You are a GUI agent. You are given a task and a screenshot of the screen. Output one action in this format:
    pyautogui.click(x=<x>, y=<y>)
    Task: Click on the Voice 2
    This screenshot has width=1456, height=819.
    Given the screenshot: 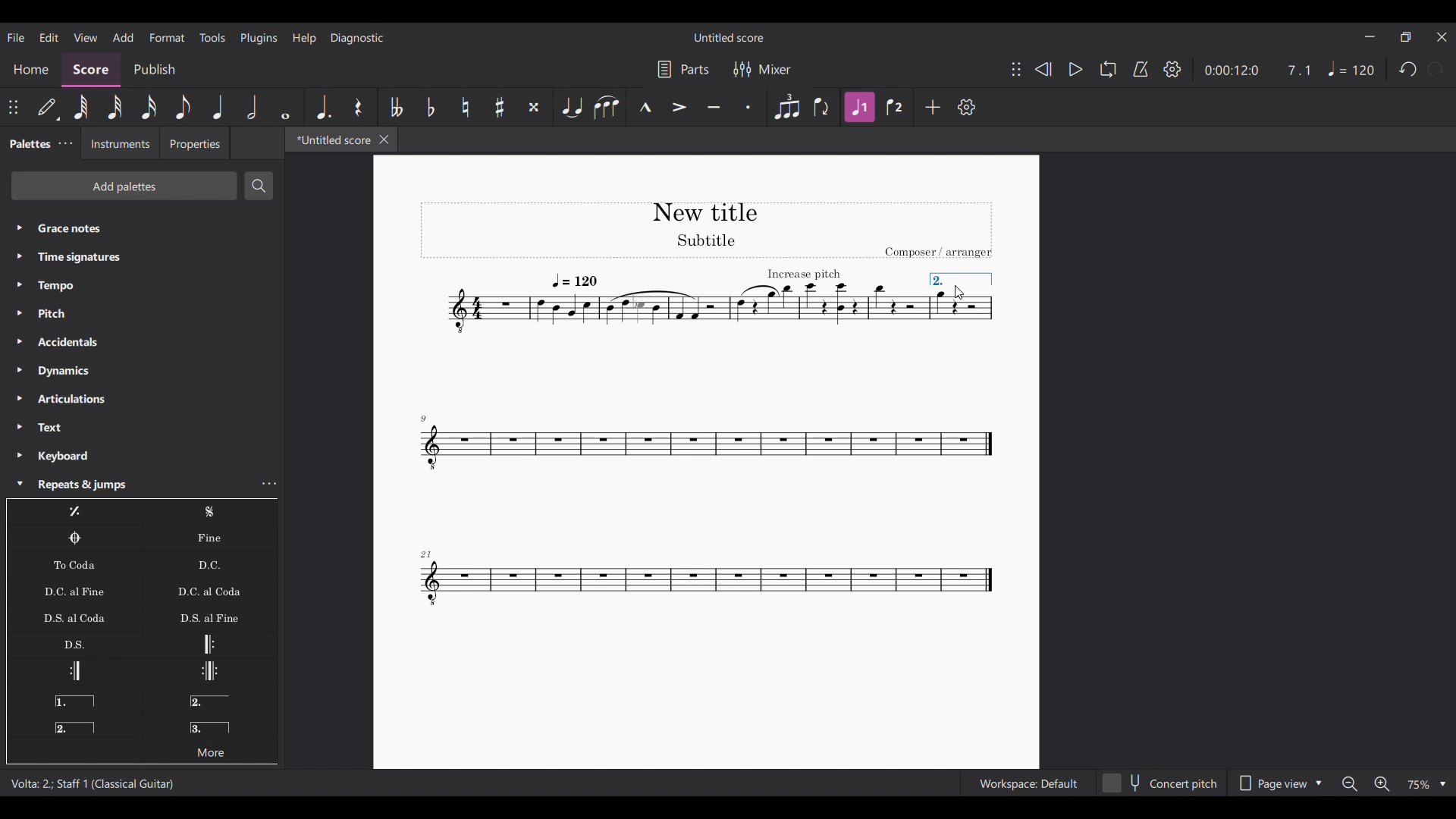 What is the action you would take?
    pyautogui.click(x=896, y=107)
    